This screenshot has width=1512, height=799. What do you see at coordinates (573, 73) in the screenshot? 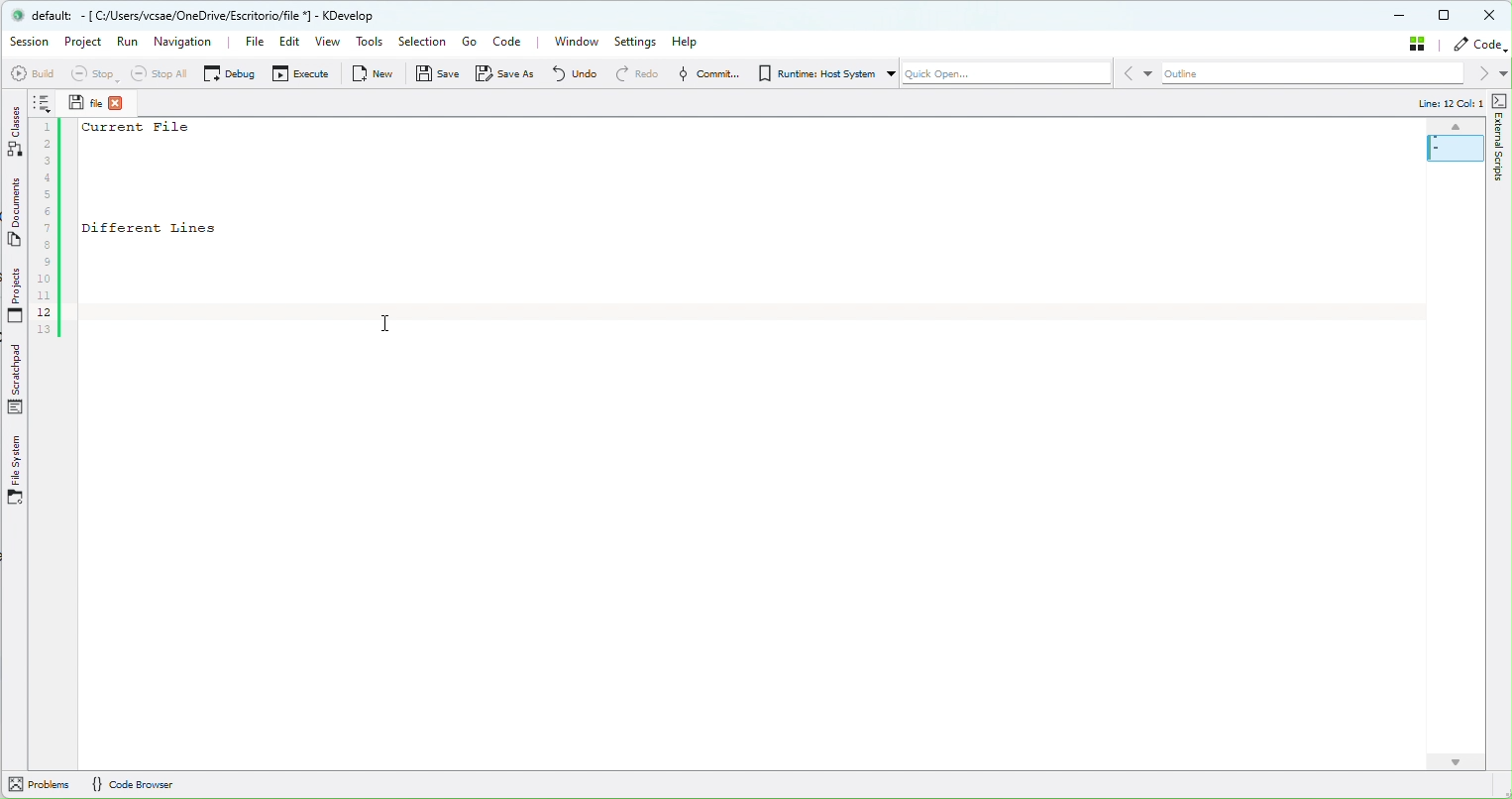
I see `Undo` at bounding box center [573, 73].